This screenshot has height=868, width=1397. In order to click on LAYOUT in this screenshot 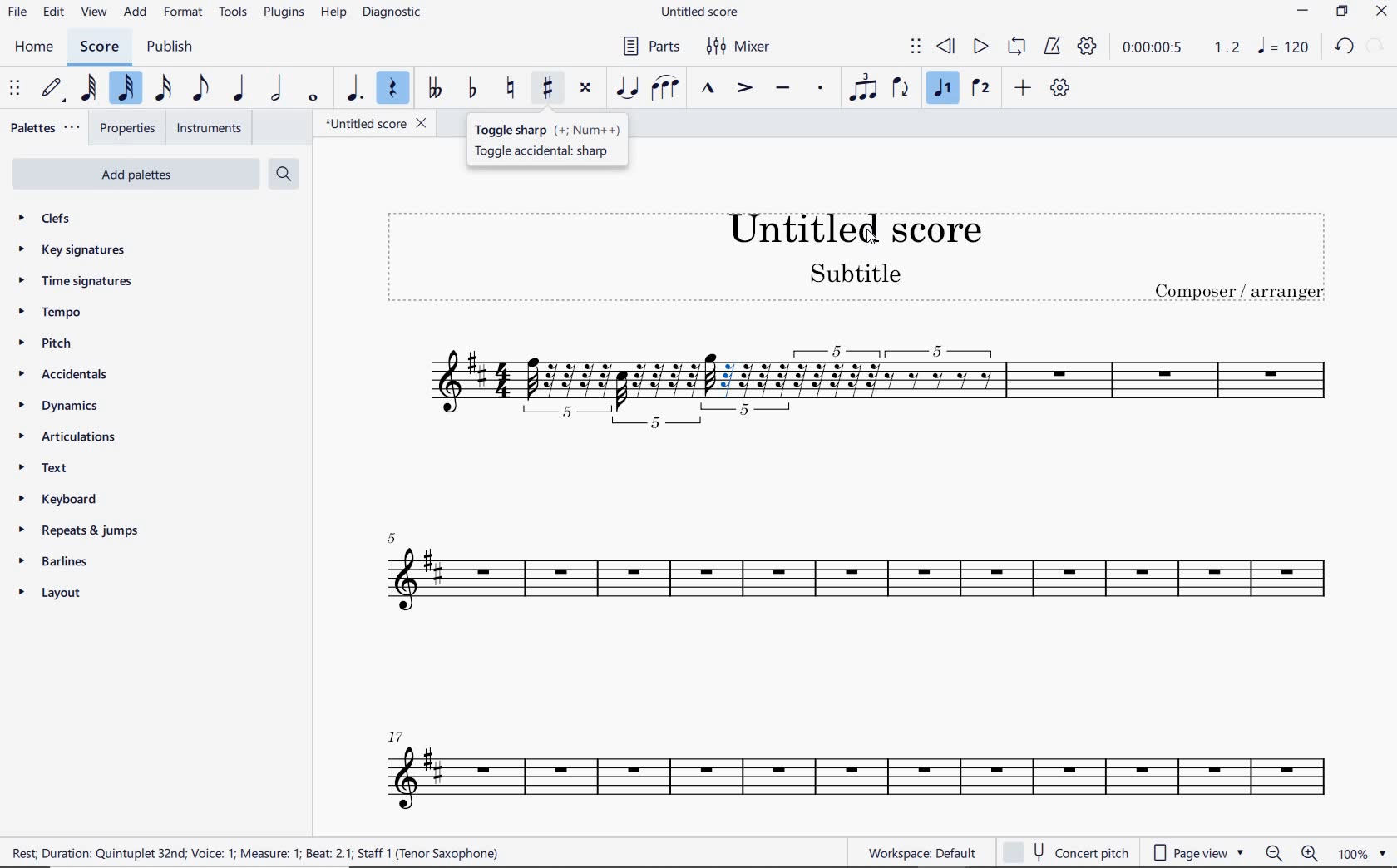, I will do `click(52, 594)`.